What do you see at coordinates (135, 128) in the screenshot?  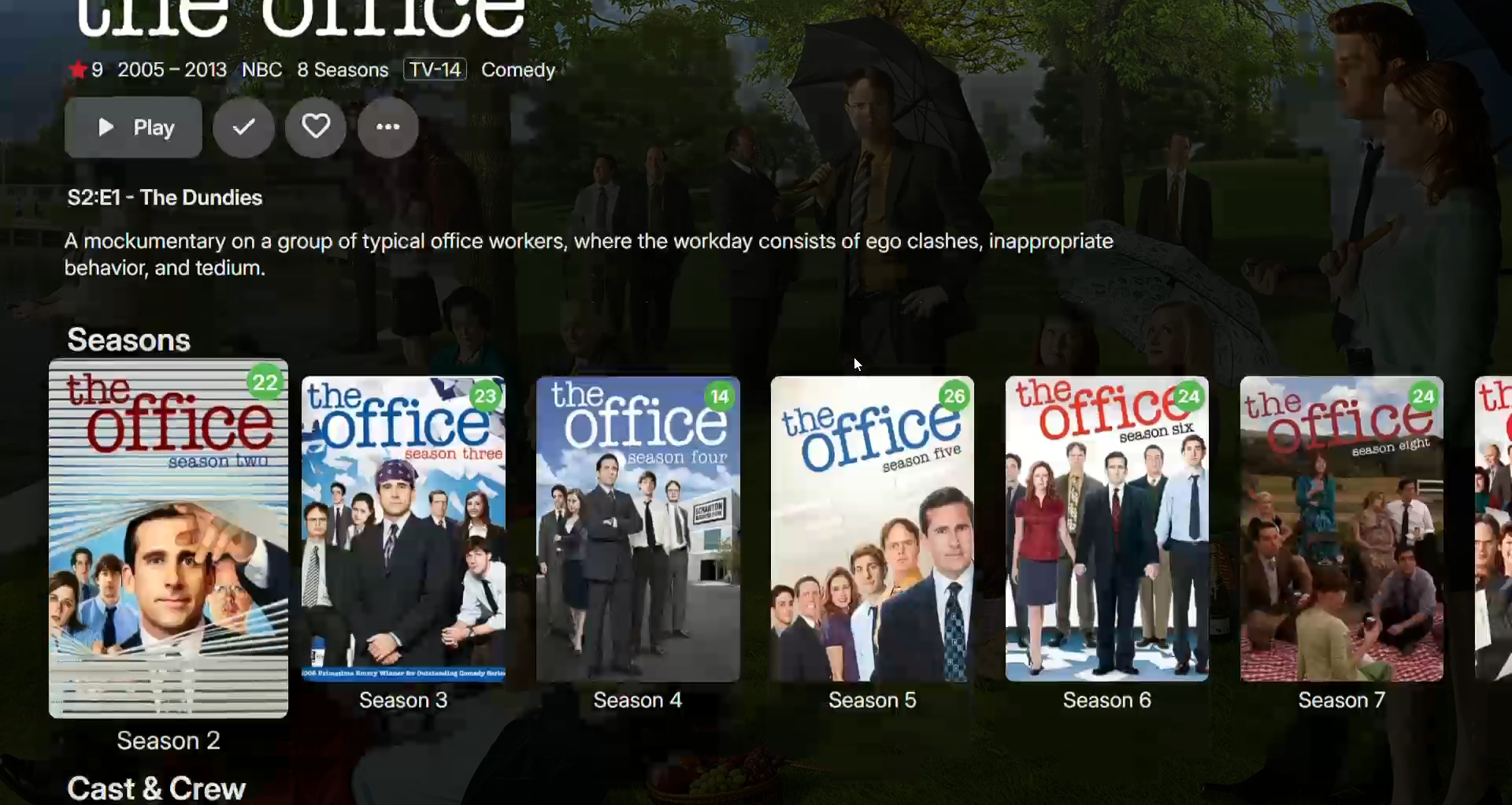 I see `Play` at bounding box center [135, 128].